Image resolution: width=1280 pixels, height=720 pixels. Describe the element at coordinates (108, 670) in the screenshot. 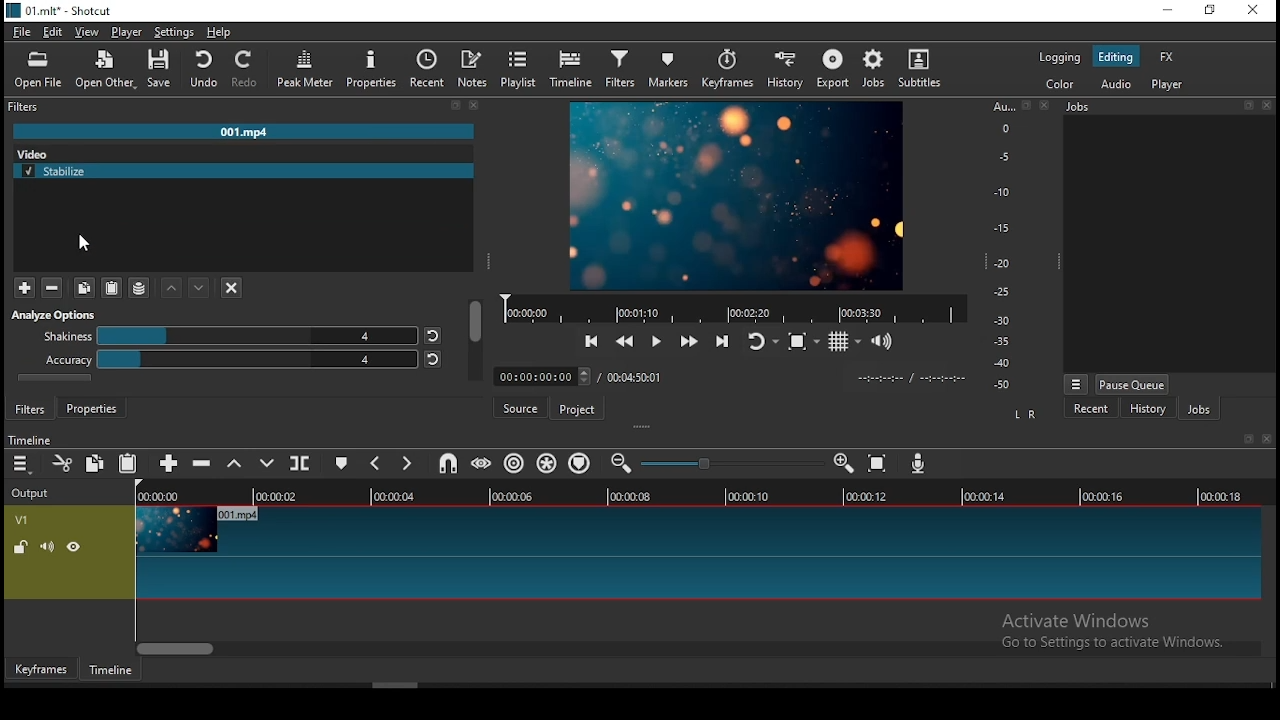

I see `timeline` at that location.